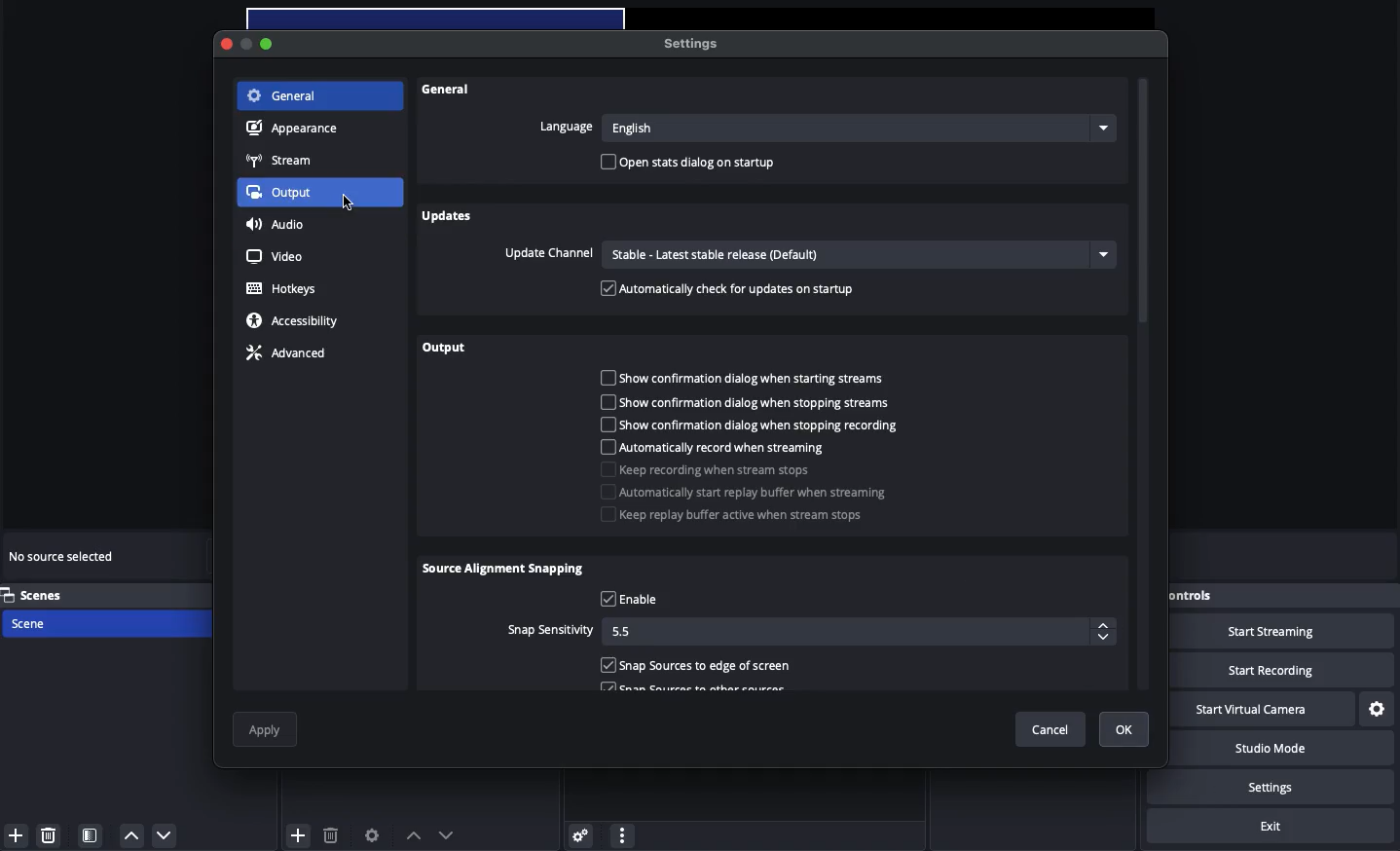  What do you see at coordinates (129, 835) in the screenshot?
I see `Up` at bounding box center [129, 835].